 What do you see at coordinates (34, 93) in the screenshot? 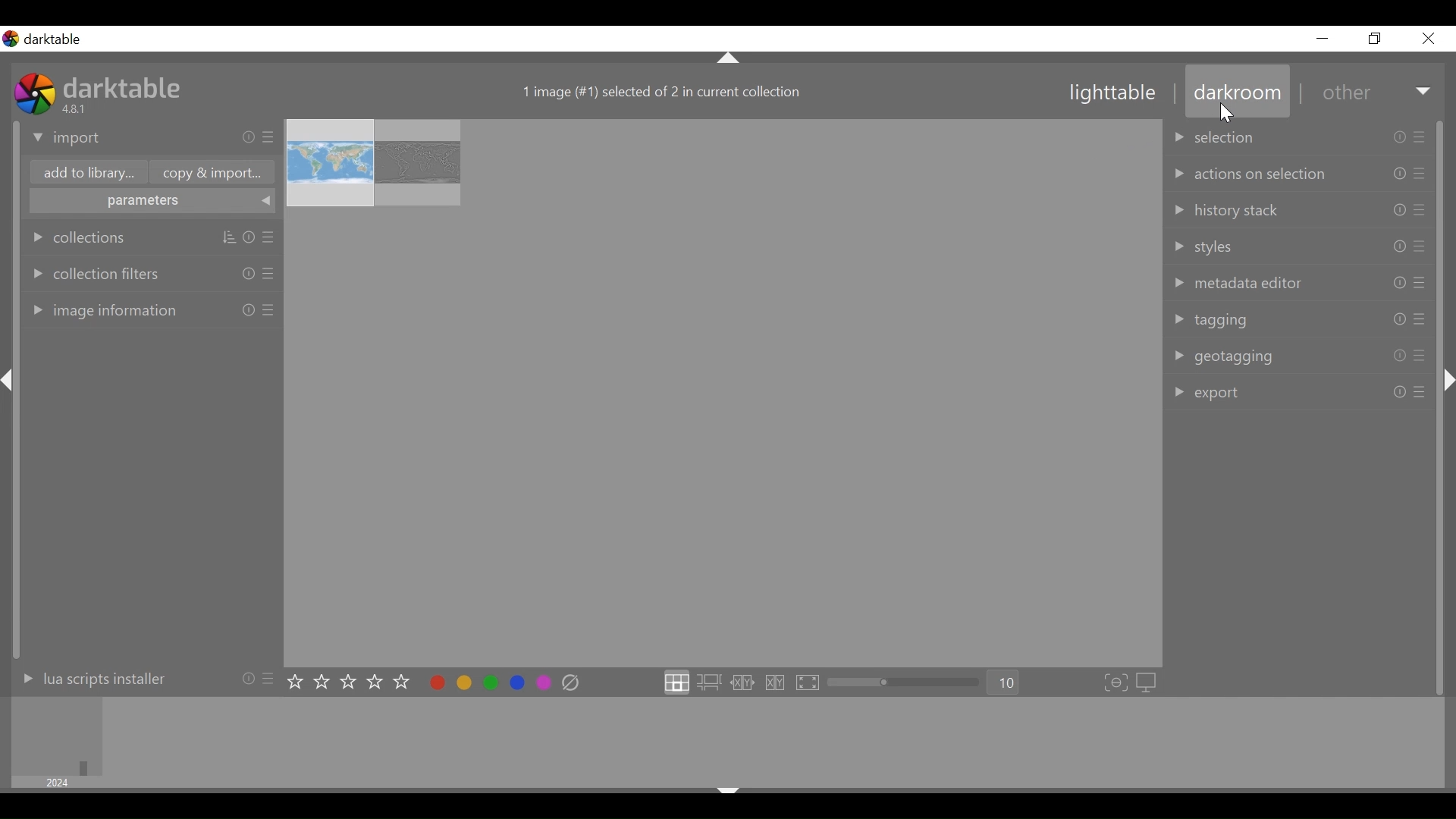
I see `Darktable logo` at bounding box center [34, 93].